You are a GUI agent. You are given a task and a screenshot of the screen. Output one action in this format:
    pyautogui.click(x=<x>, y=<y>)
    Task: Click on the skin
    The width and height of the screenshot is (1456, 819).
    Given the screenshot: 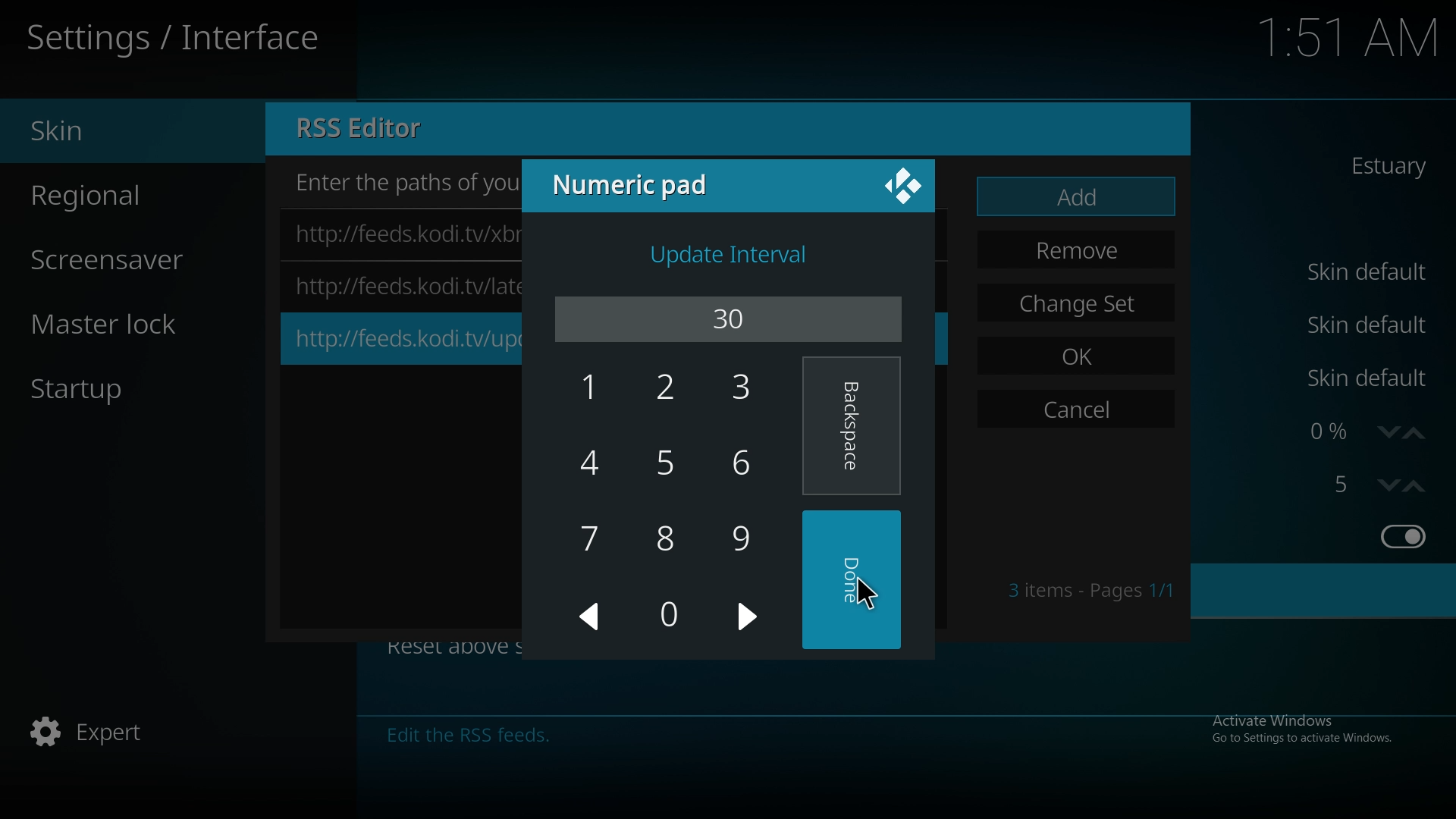 What is the action you would take?
    pyautogui.click(x=111, y=131)
    